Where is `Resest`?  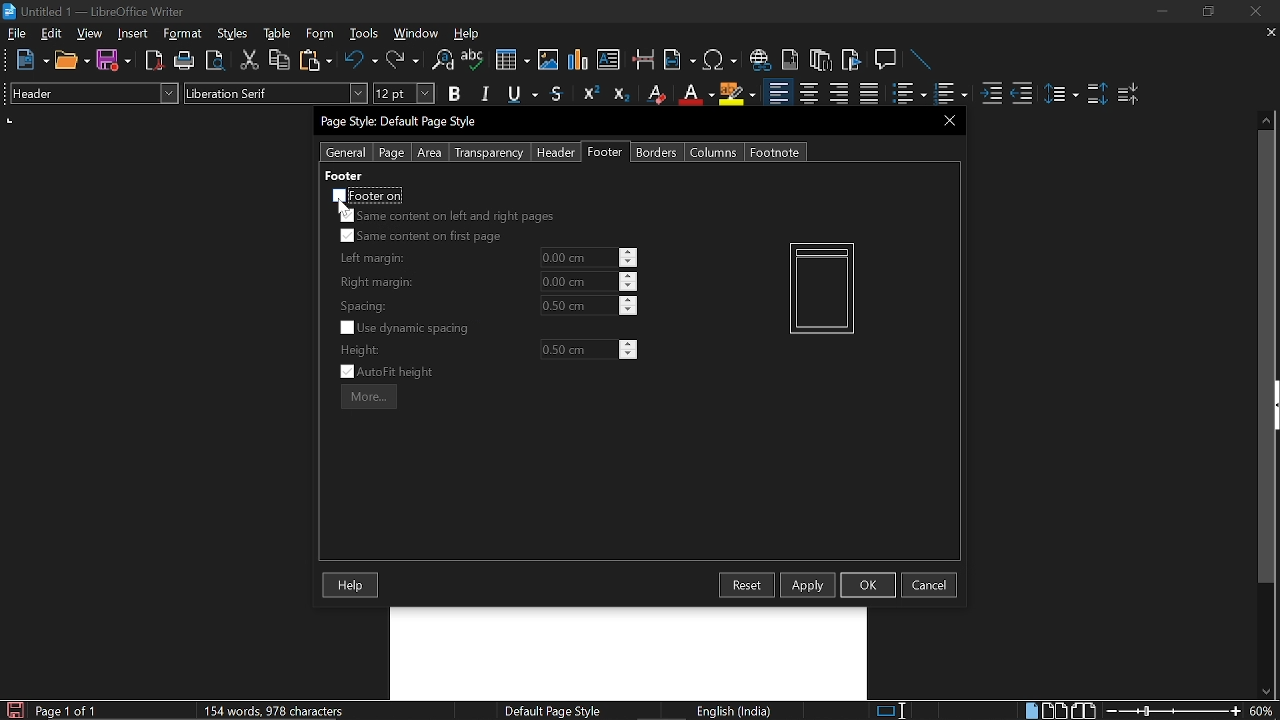 Resest is located at coordinates (747, 585).